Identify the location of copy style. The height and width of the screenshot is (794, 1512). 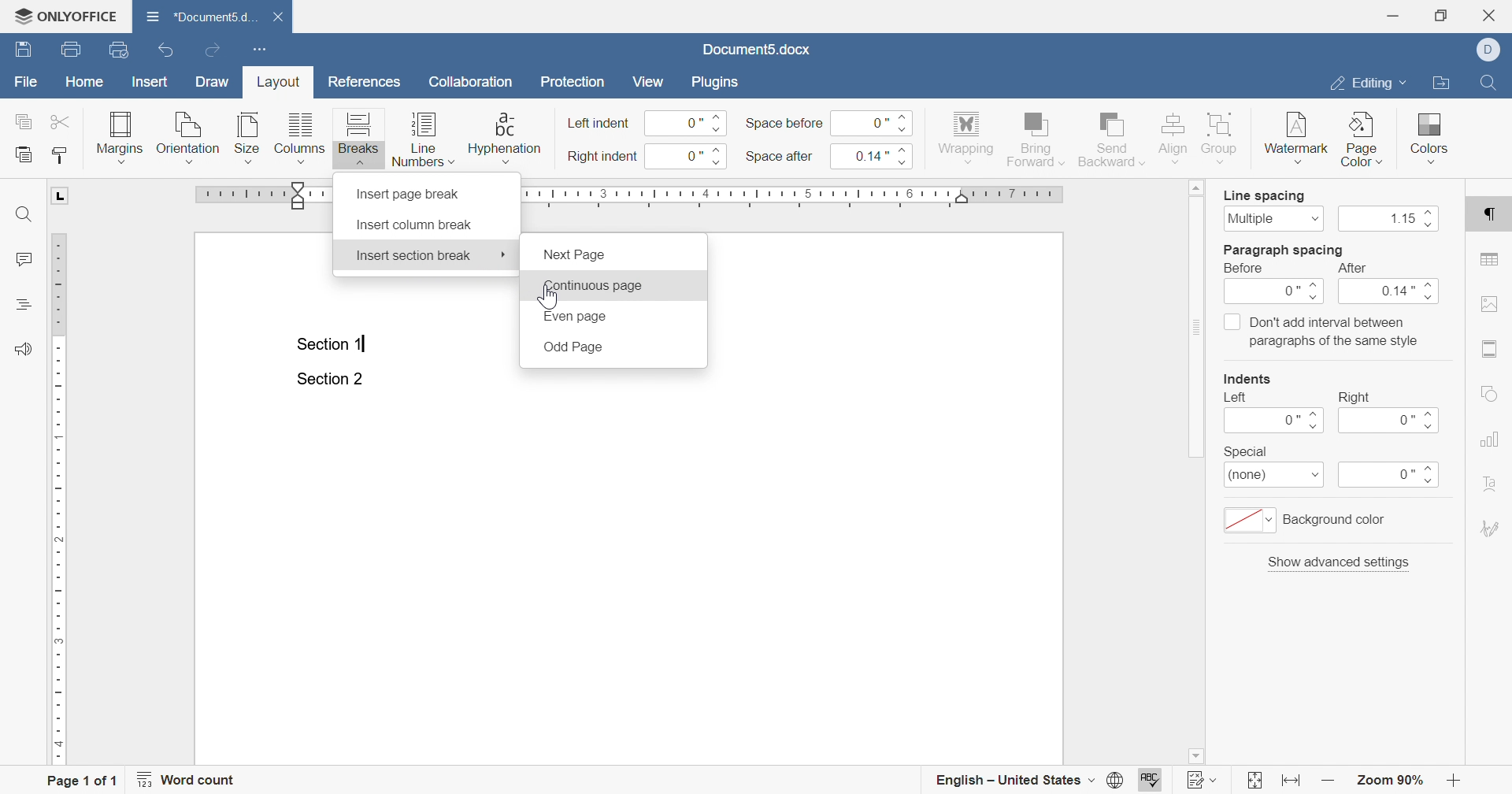
(57, 156).